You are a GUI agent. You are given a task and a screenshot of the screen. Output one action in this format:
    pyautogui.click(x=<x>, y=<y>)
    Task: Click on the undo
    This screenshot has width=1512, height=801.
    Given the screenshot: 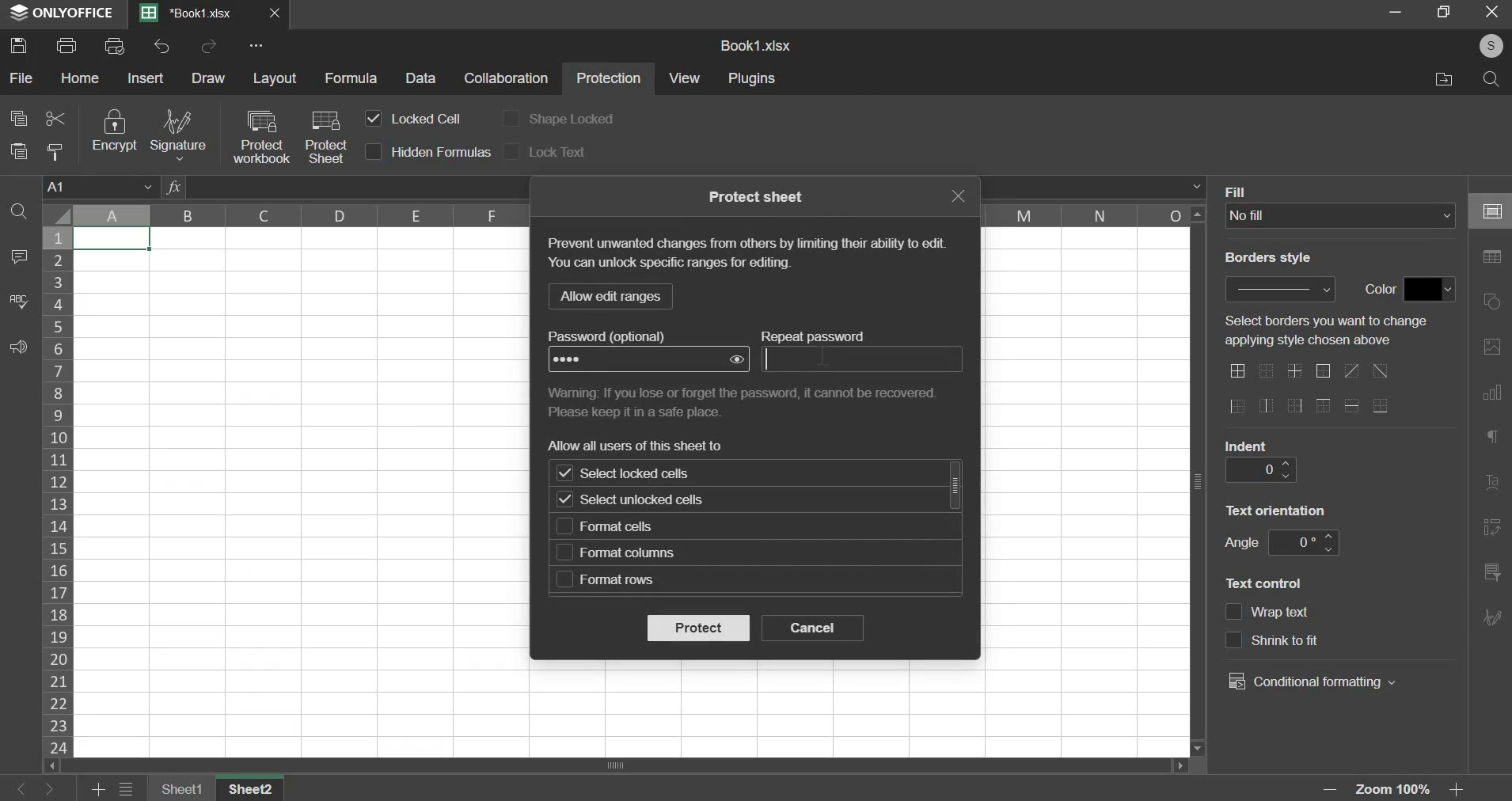 What is the action you would take?
    pyautogui.click(x=162, y=46)
    